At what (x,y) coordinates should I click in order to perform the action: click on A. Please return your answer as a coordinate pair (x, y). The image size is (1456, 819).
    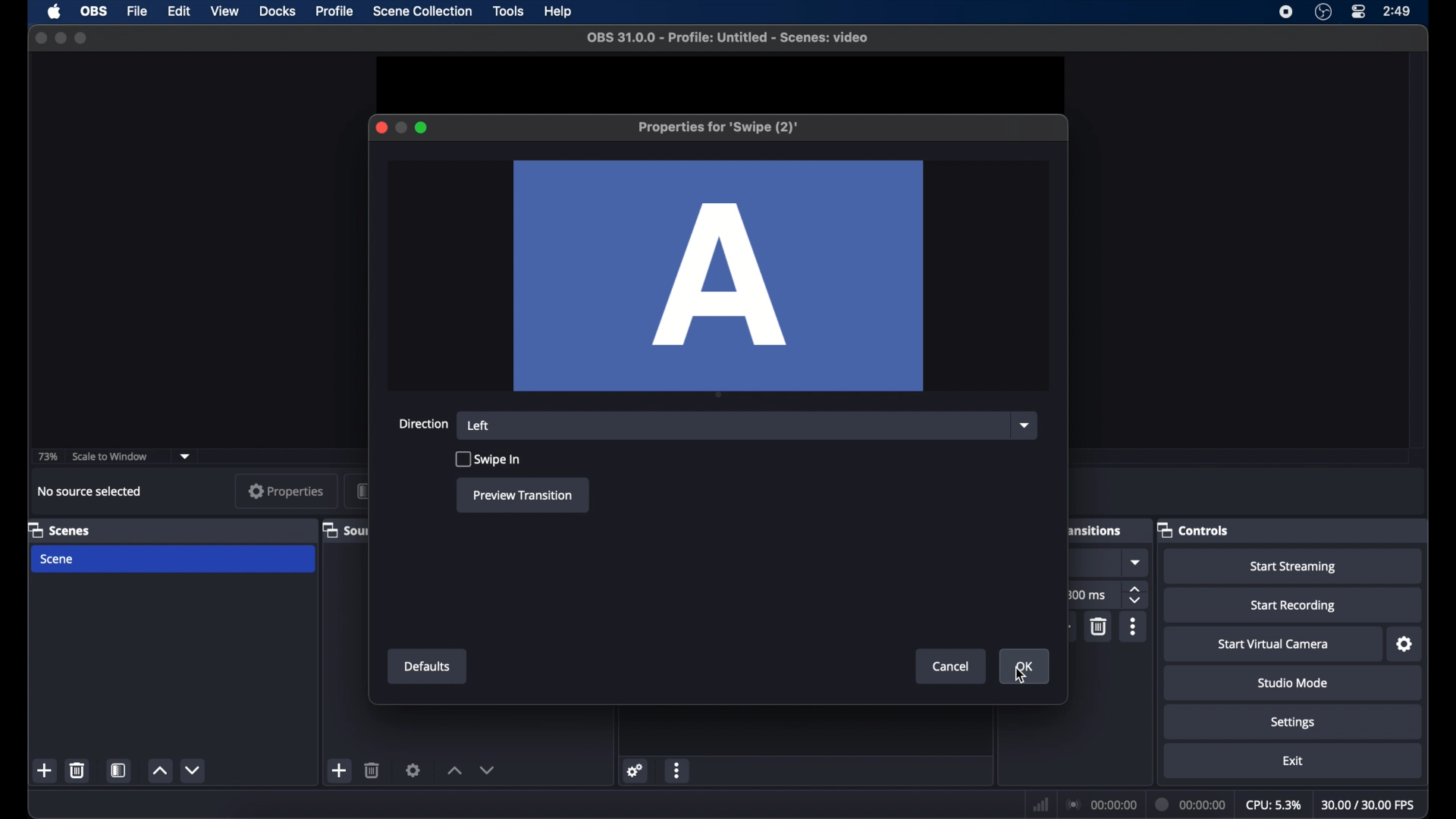
    Looking at the image, I should click on (719, 276).